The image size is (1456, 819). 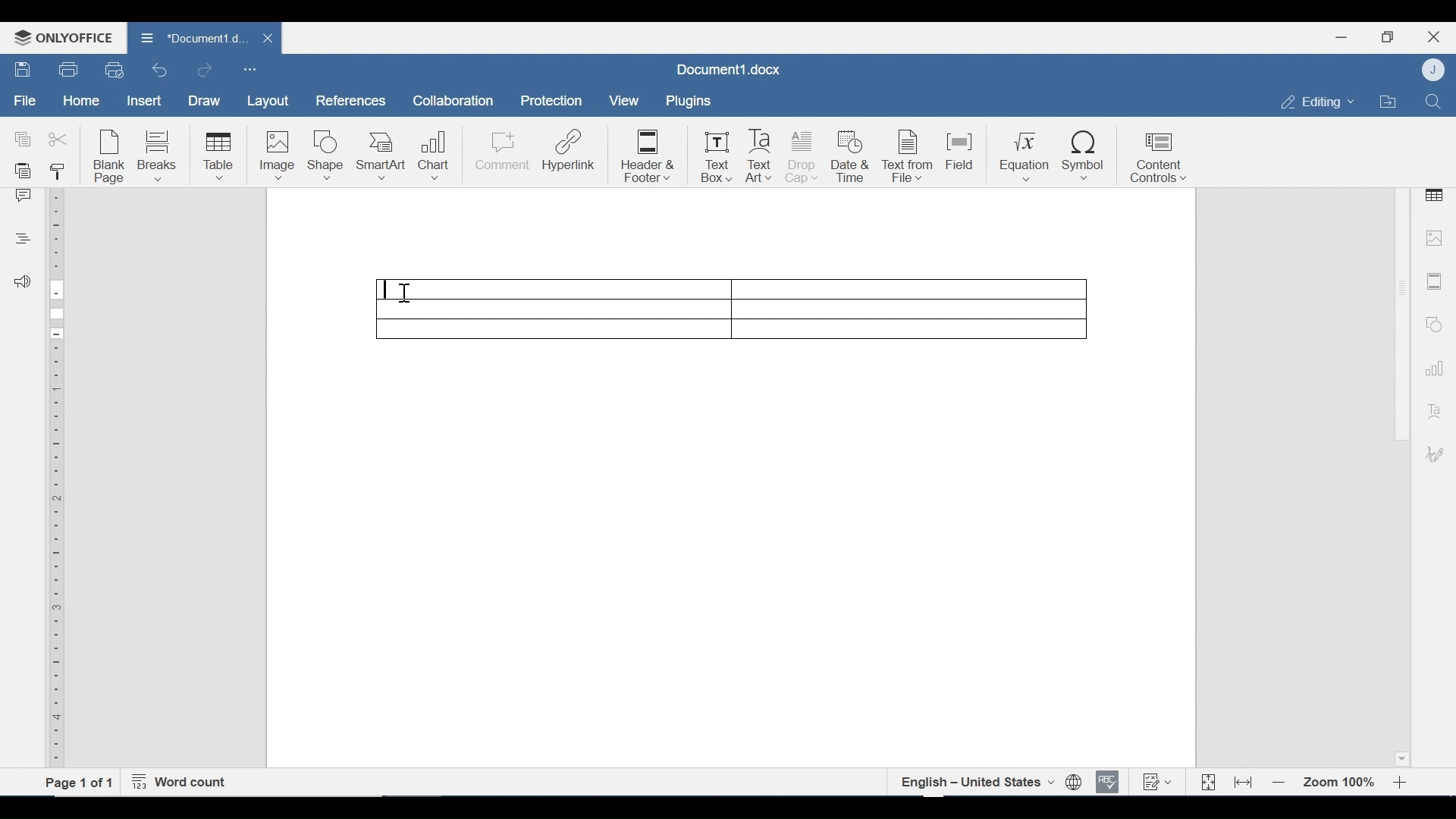 I want to click on Comment, so click(x=501, y=157).